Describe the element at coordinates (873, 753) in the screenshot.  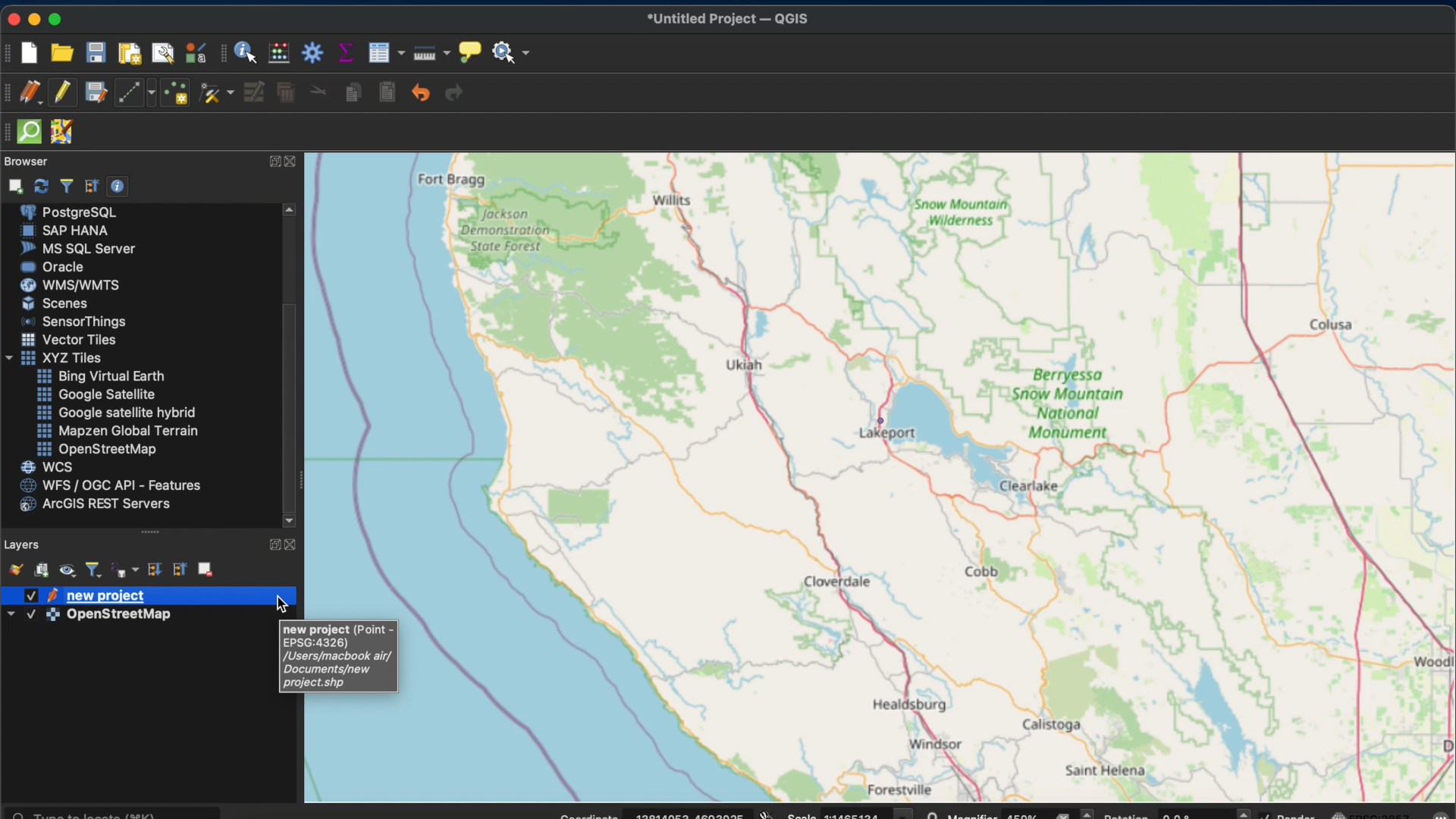
I see `open street map` at that location.